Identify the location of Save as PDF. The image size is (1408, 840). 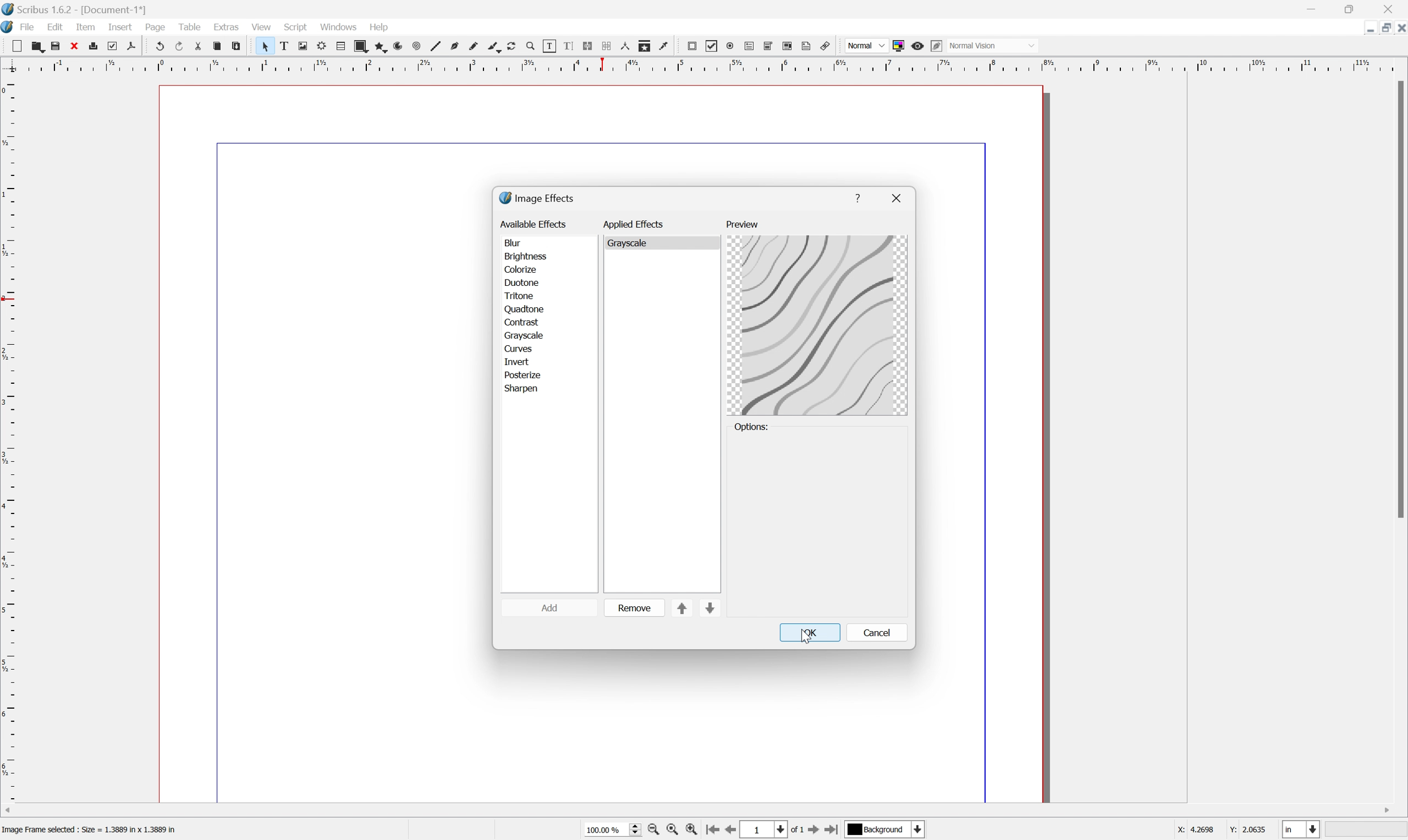
(137, 46).